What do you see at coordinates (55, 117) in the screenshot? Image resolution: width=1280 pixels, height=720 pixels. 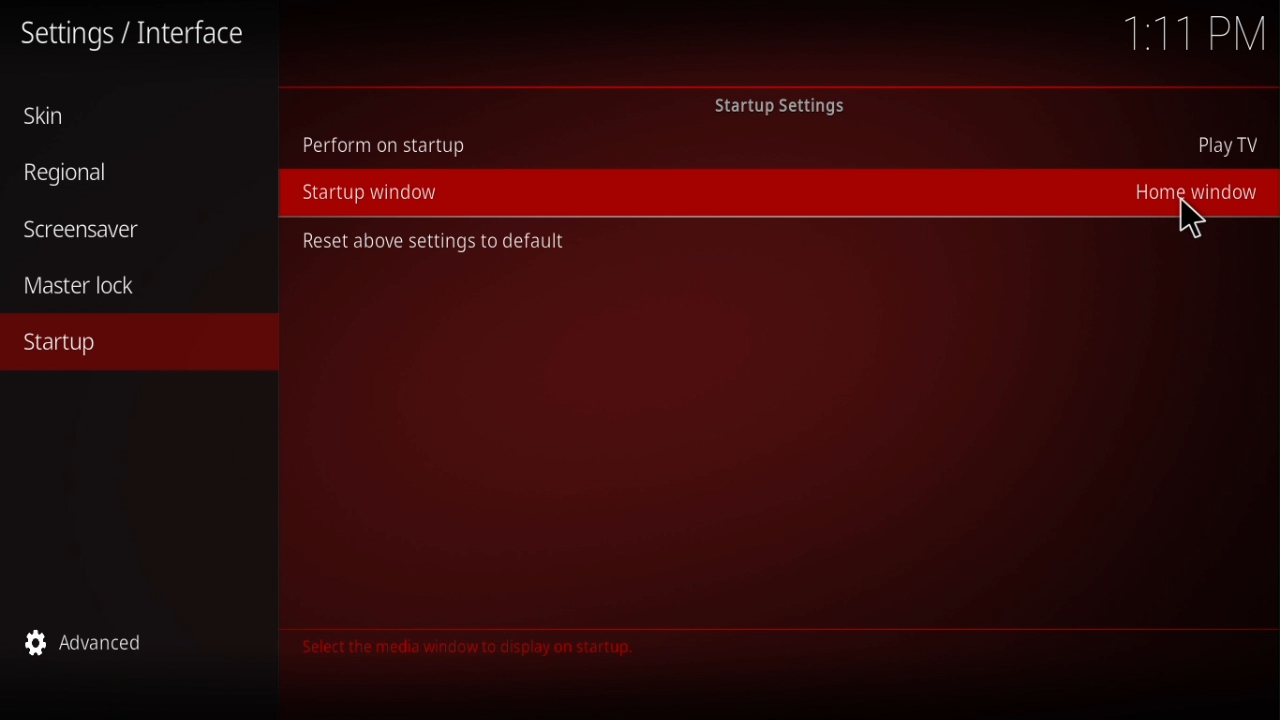 I see `skin` at bounding box center [55, 117].